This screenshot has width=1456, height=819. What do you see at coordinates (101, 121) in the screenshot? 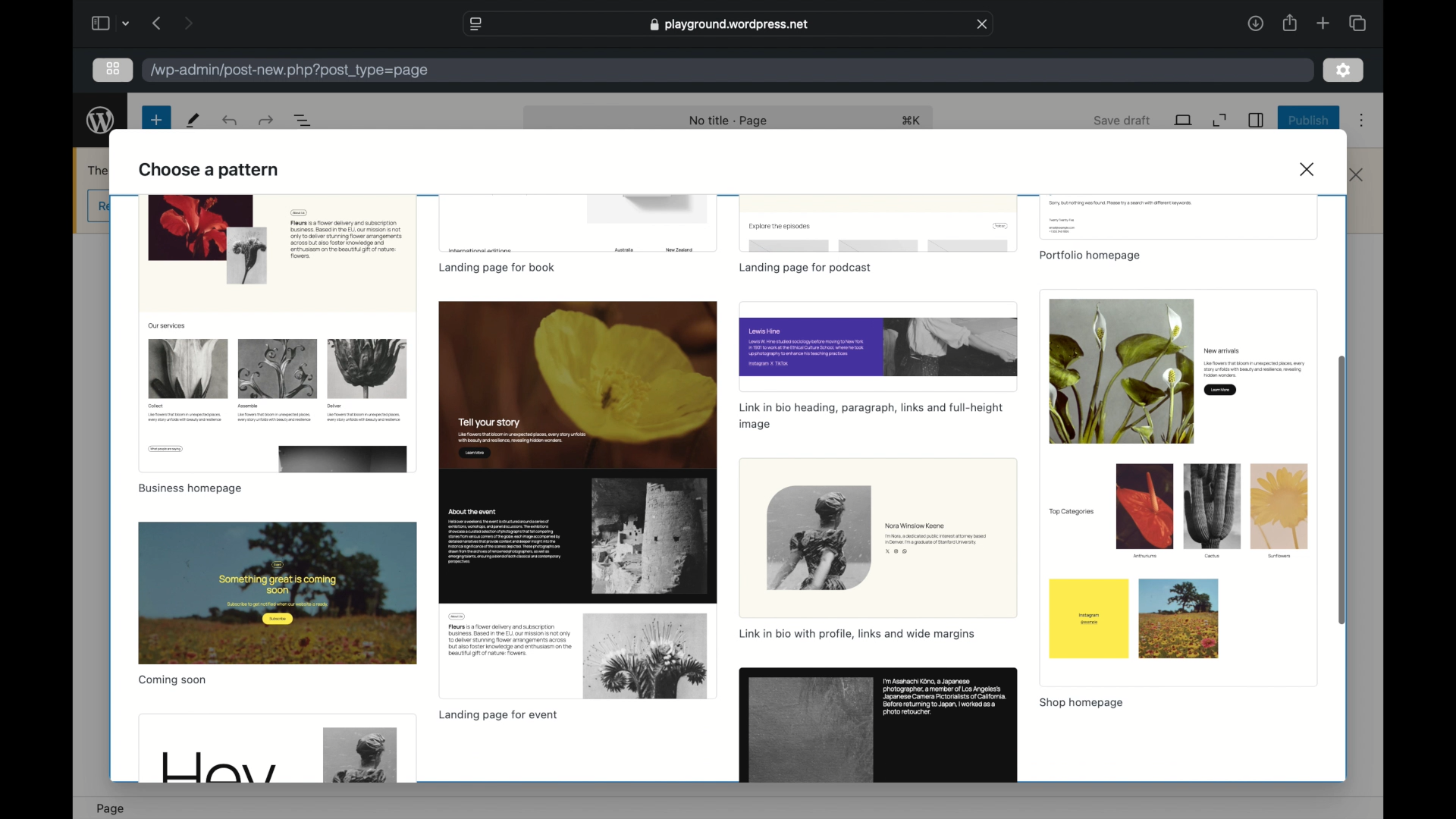
I see `wordpress` at bounding box center [101, 121].